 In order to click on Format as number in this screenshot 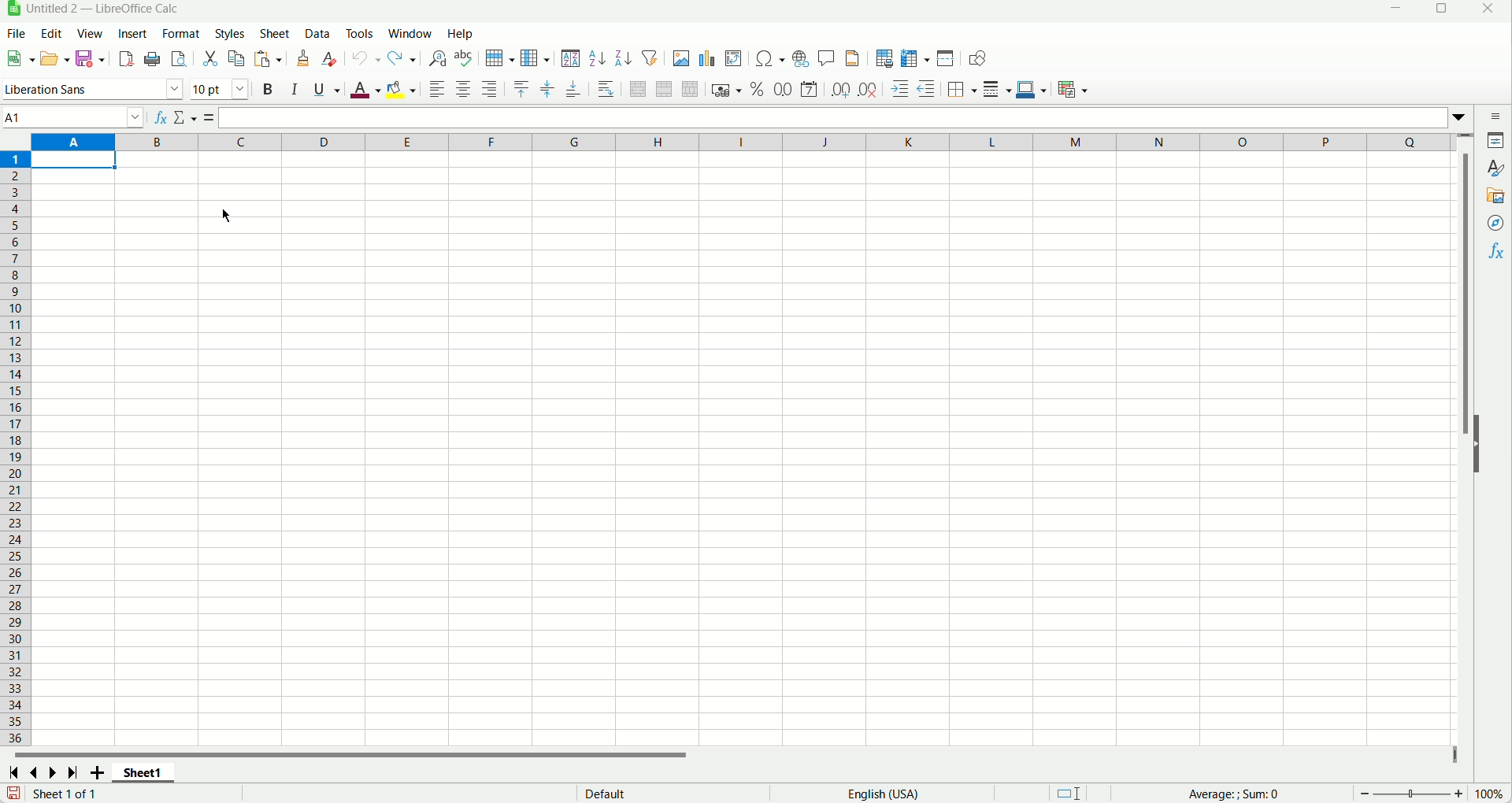, I will do `click(783, 88)`.